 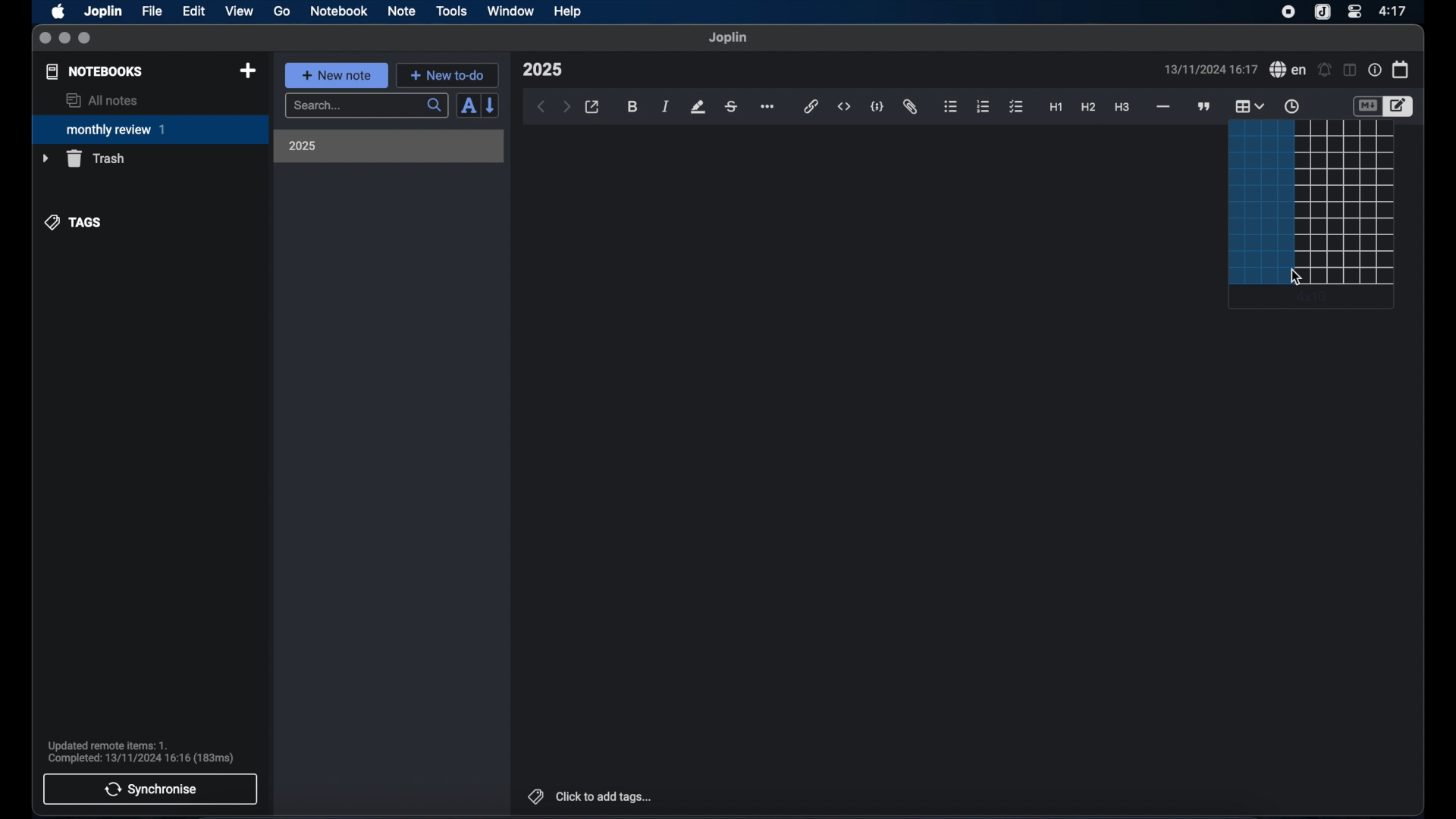 I want to click on block quotes, so click(x=1205, y=107).